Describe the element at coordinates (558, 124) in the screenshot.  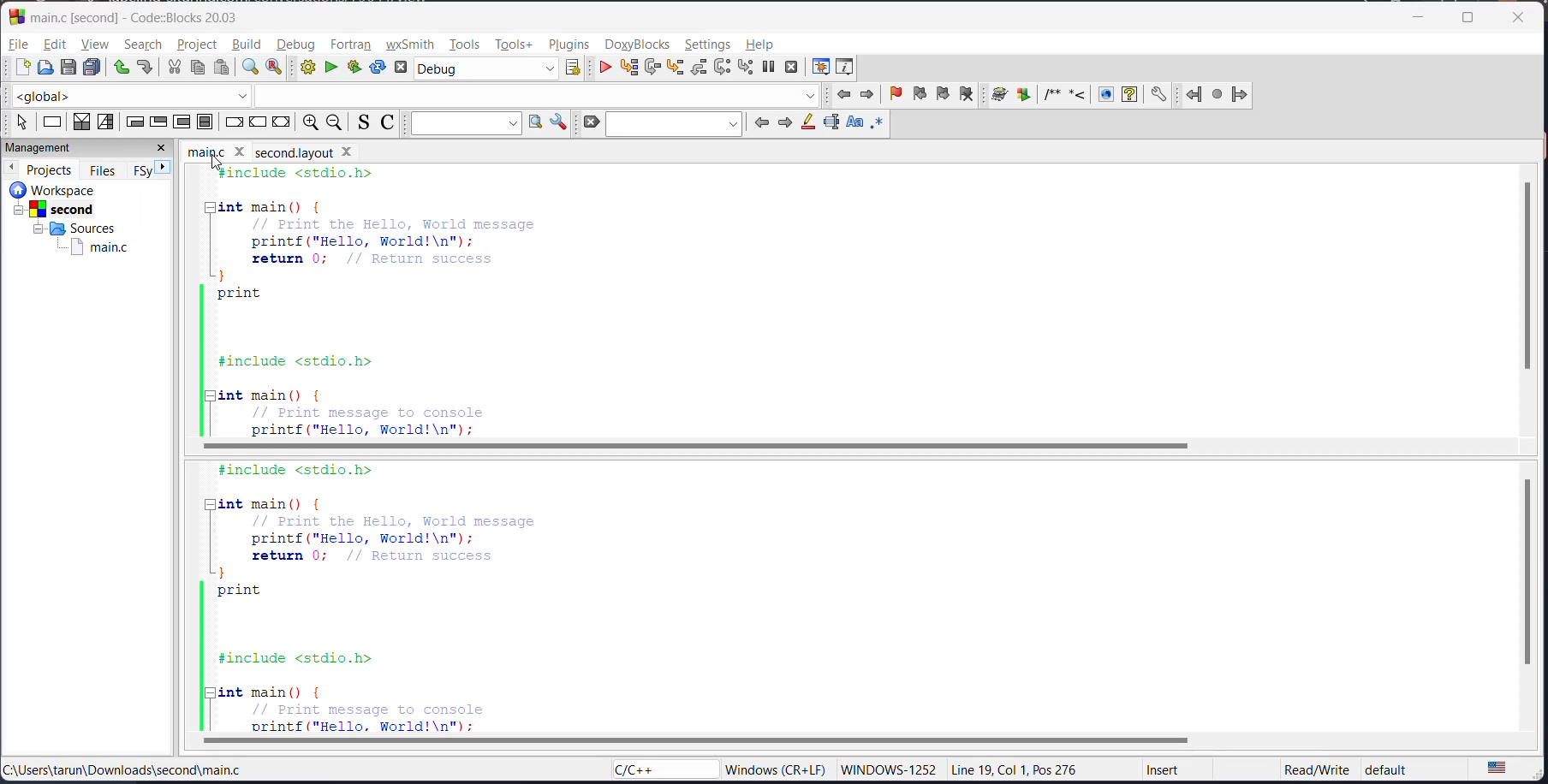
I see `show options window` at that location.